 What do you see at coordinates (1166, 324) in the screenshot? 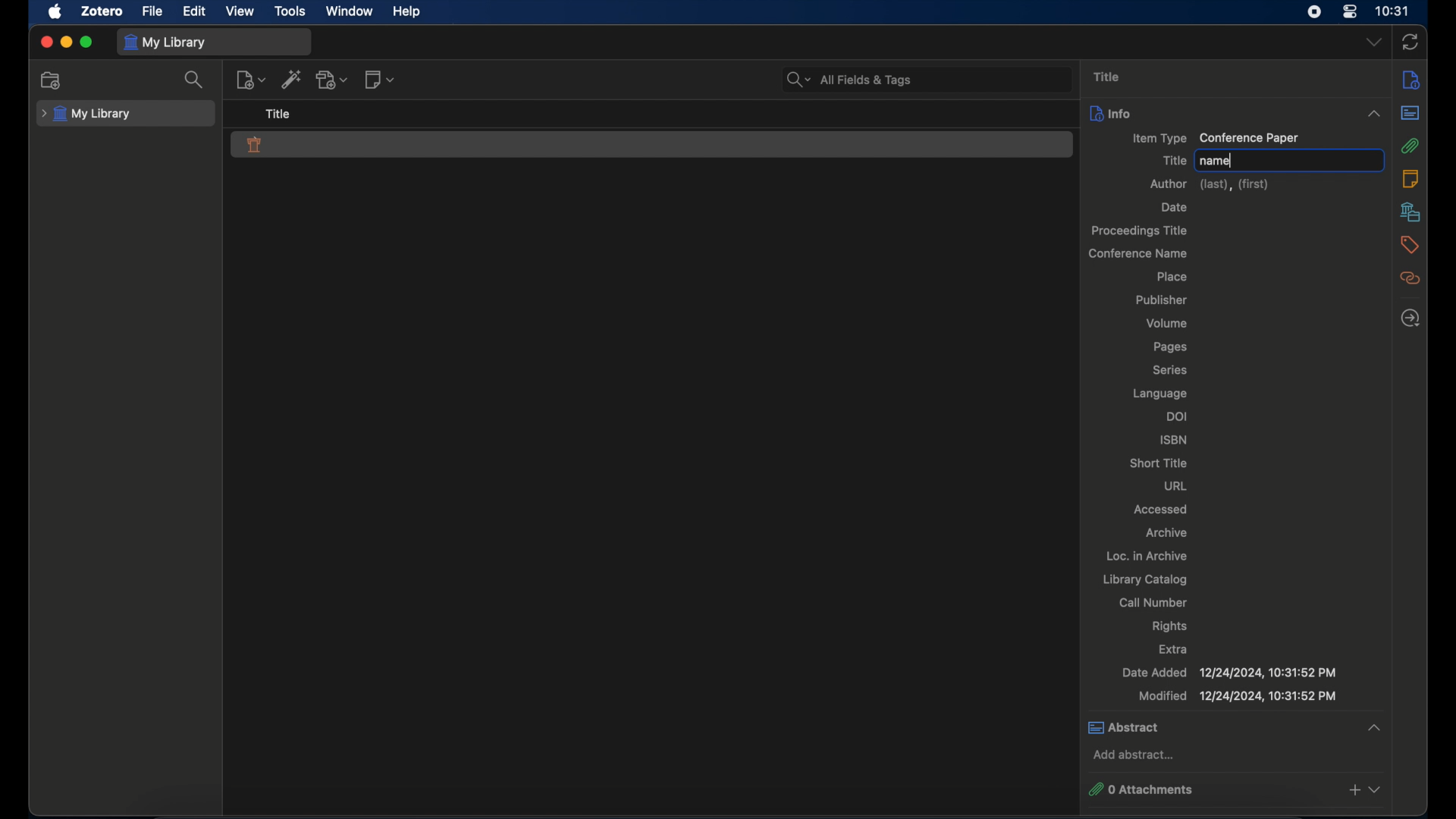
I see `volume` at bounding box center [1166, 324].